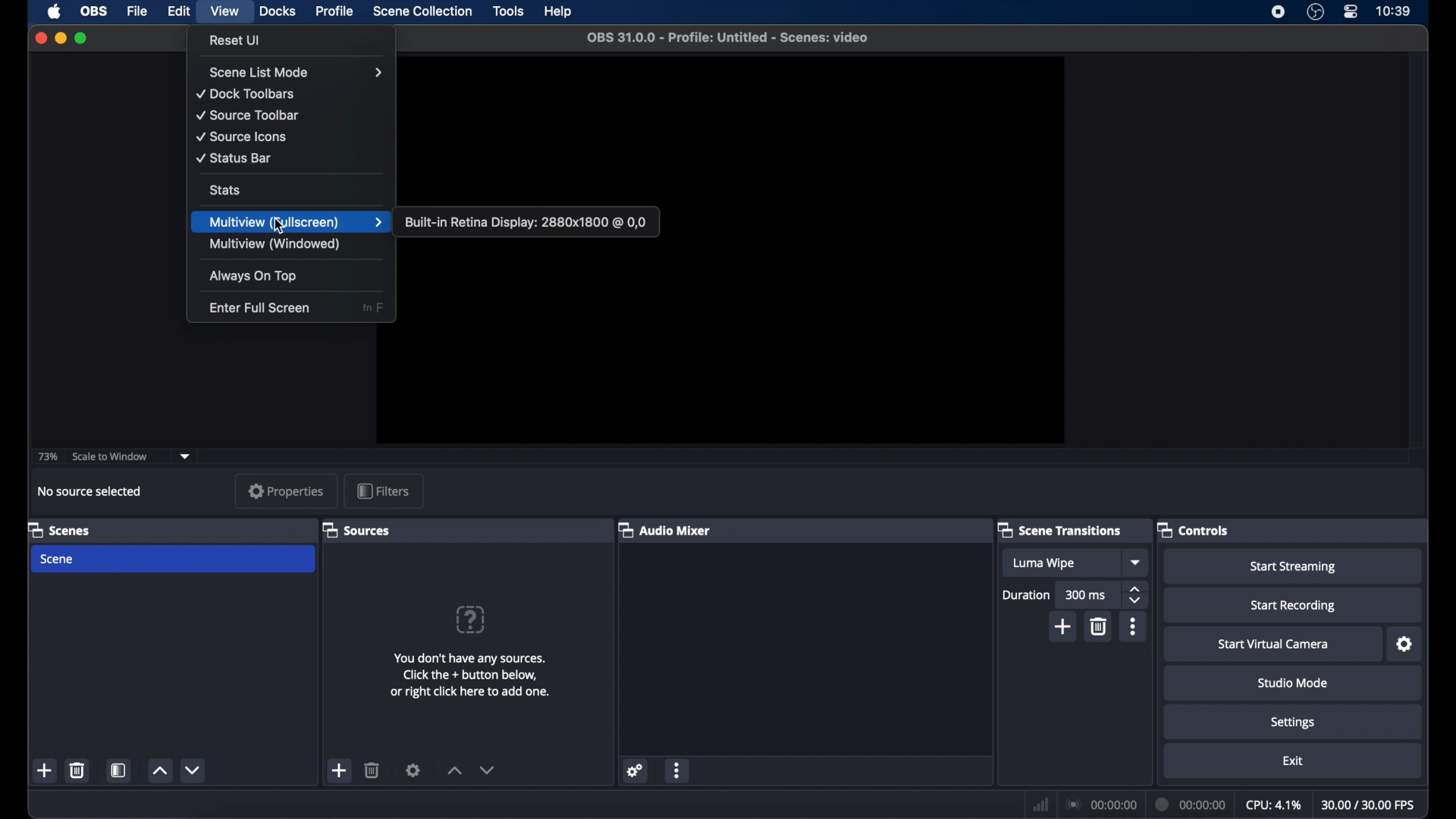  What do you see at coordinates (247, 94) in the screenshot?
I see `dock toolbars` at bounding box center [247, 94].